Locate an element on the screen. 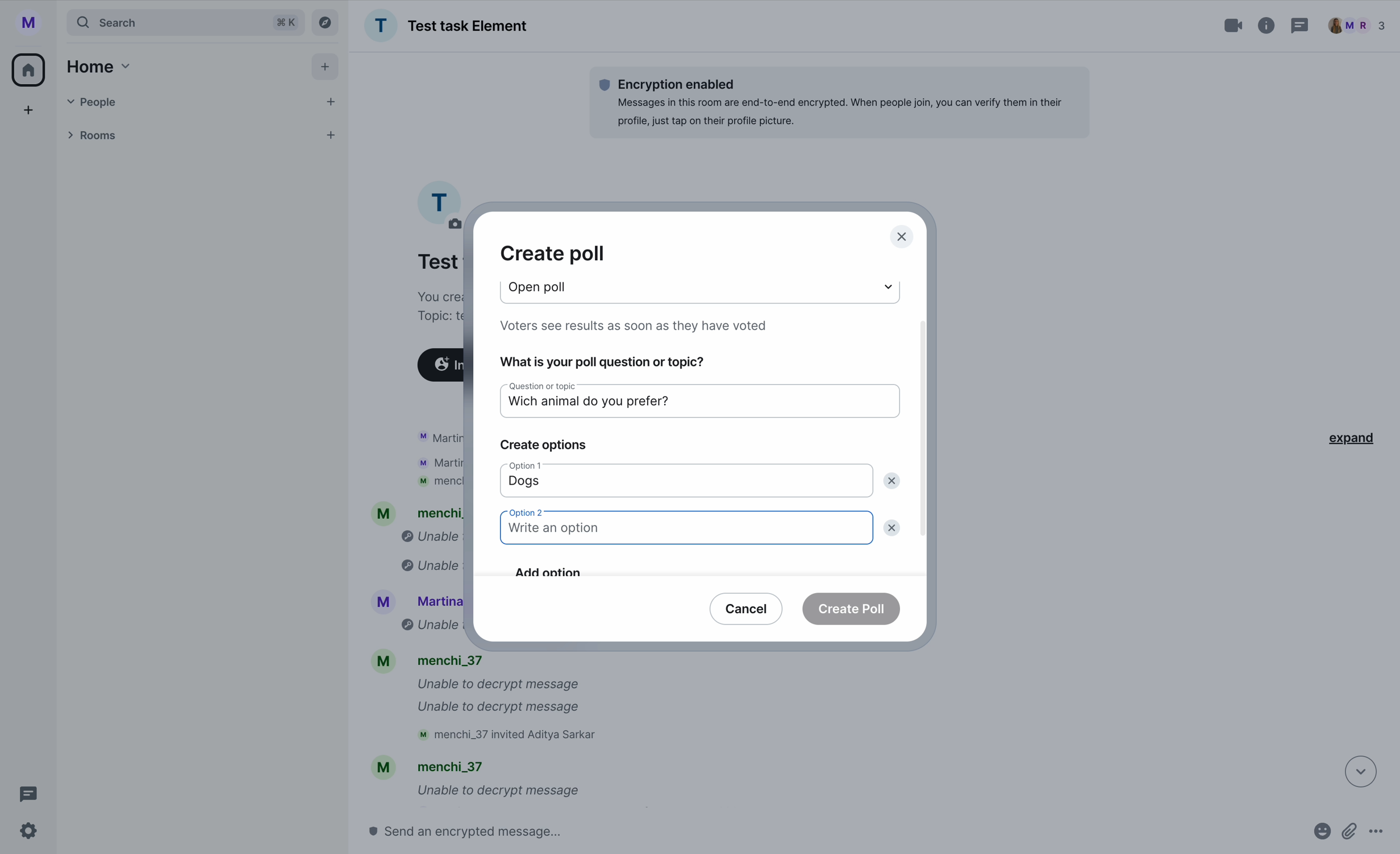 Image resolution: width=1400 pixels, height=854 pixels. profile picture is located at coordinates (439, 202).